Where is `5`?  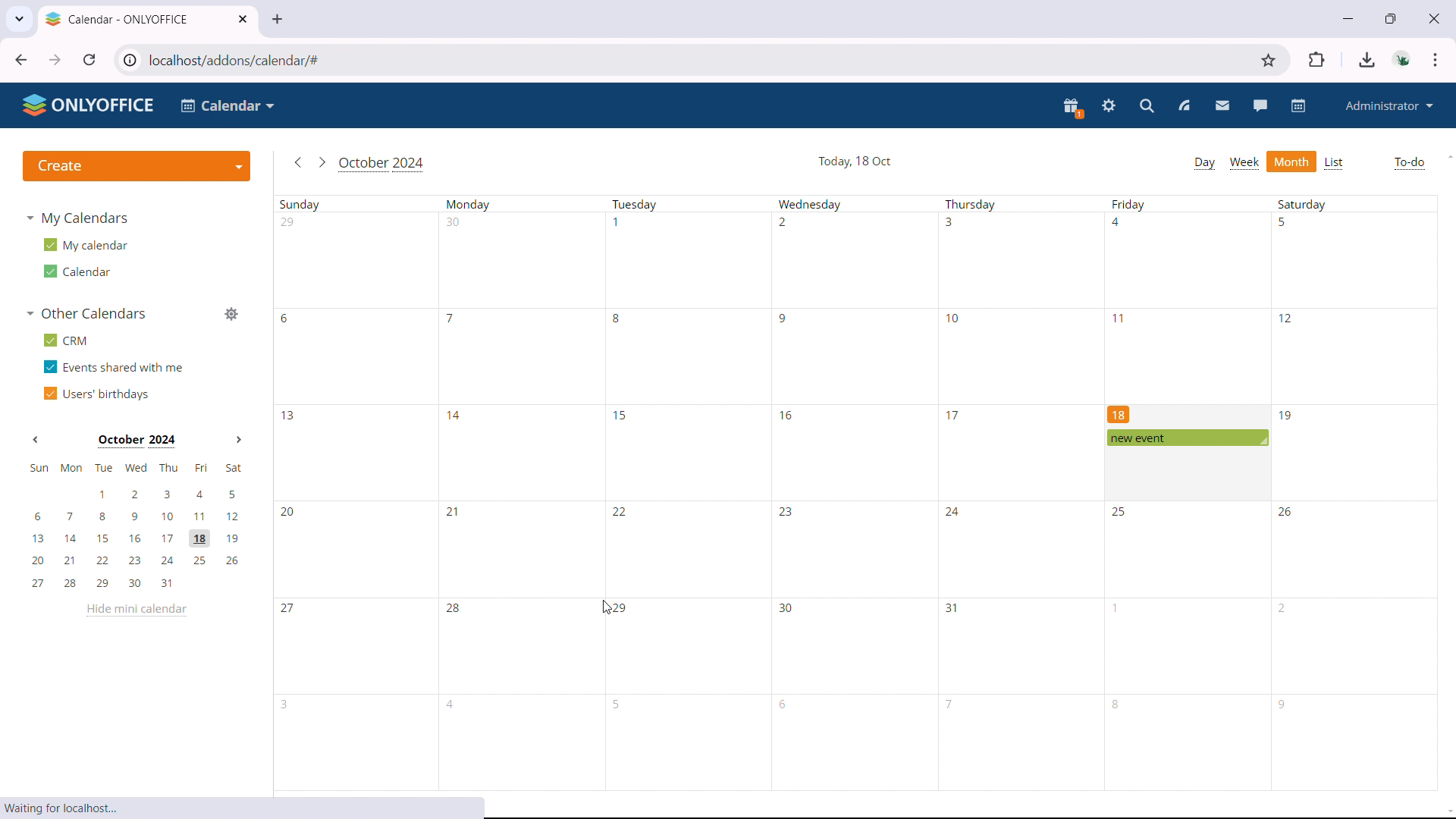
5 is located at coordinates (619, 704).